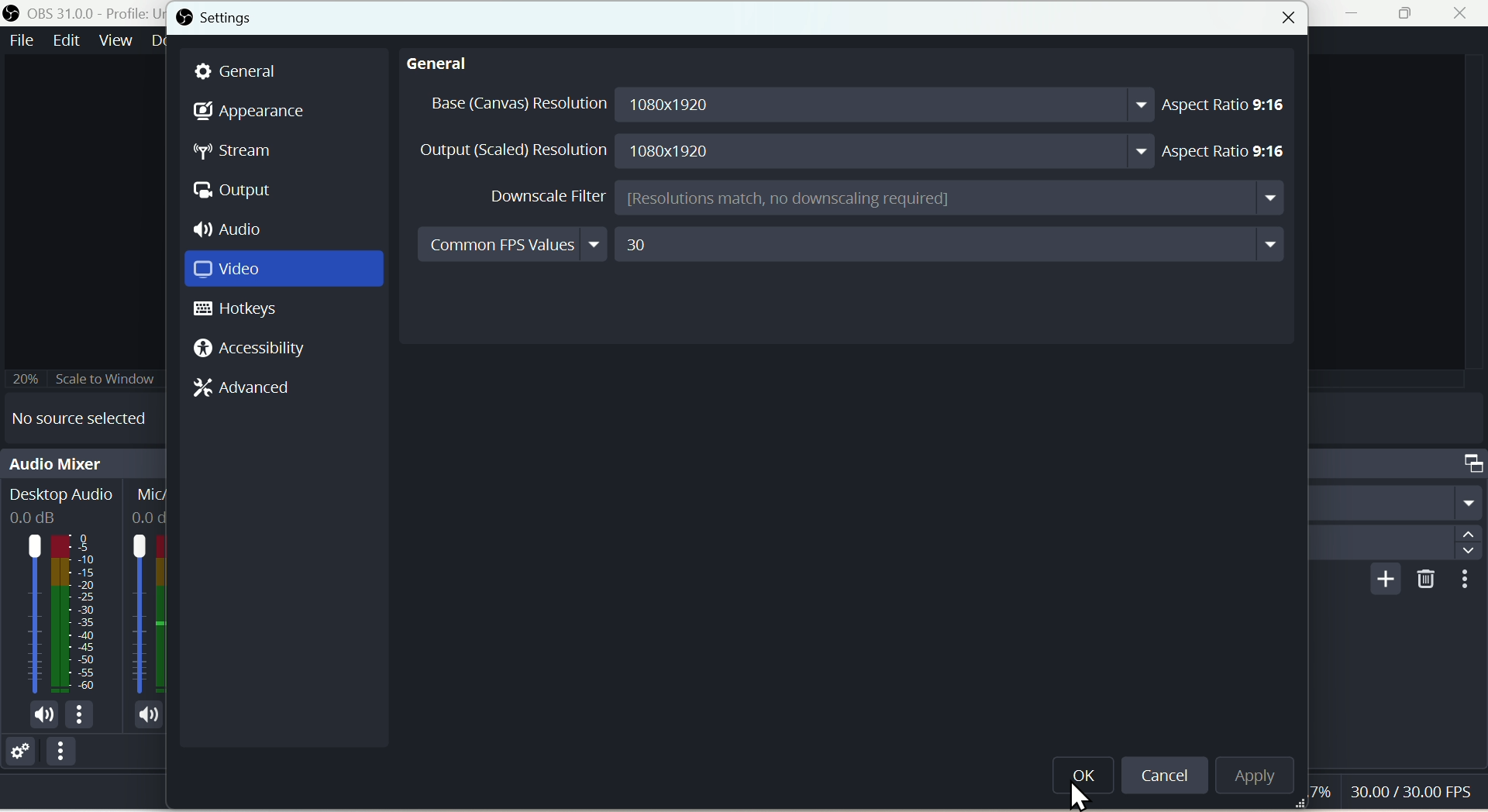  Describe the element at coordinates (1231, 105) in the screenshot. I see `Aspect ratio 9:16` at that location.